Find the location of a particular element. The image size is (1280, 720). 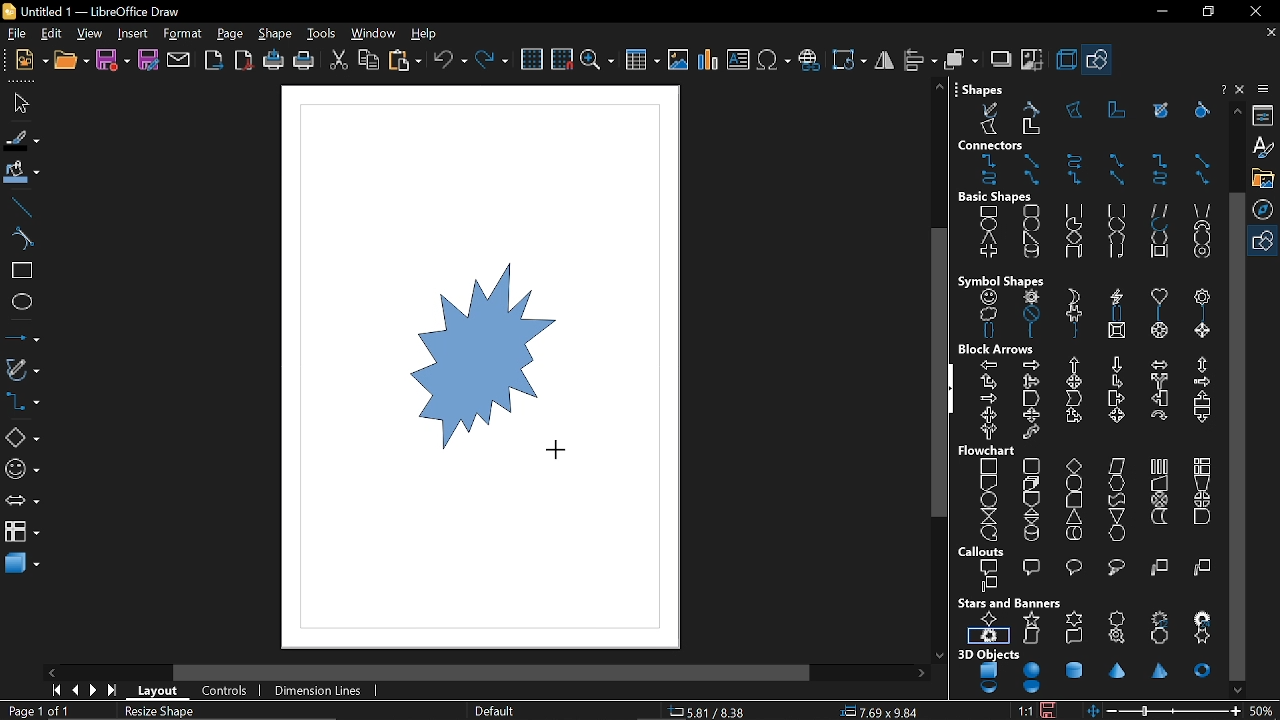

3d objects is located at coordinates (1086, 673).